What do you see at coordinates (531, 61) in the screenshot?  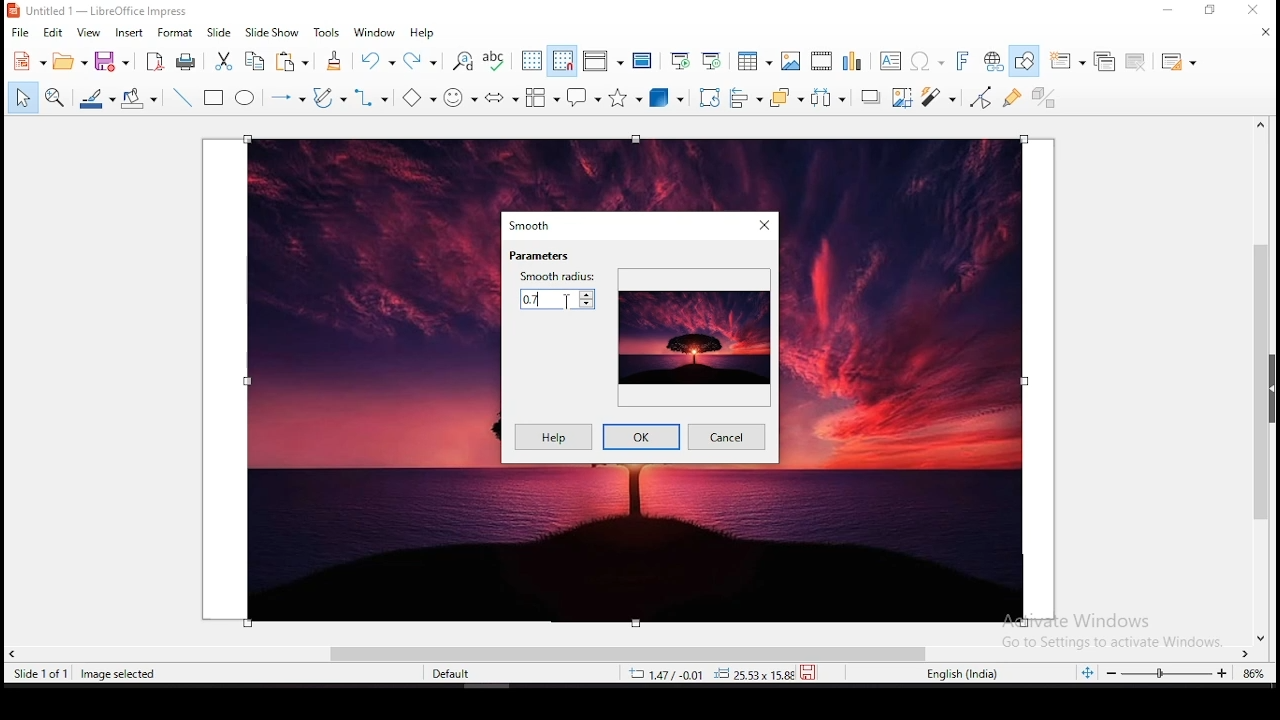 I see `display grid` at bounding box center [531, 61].